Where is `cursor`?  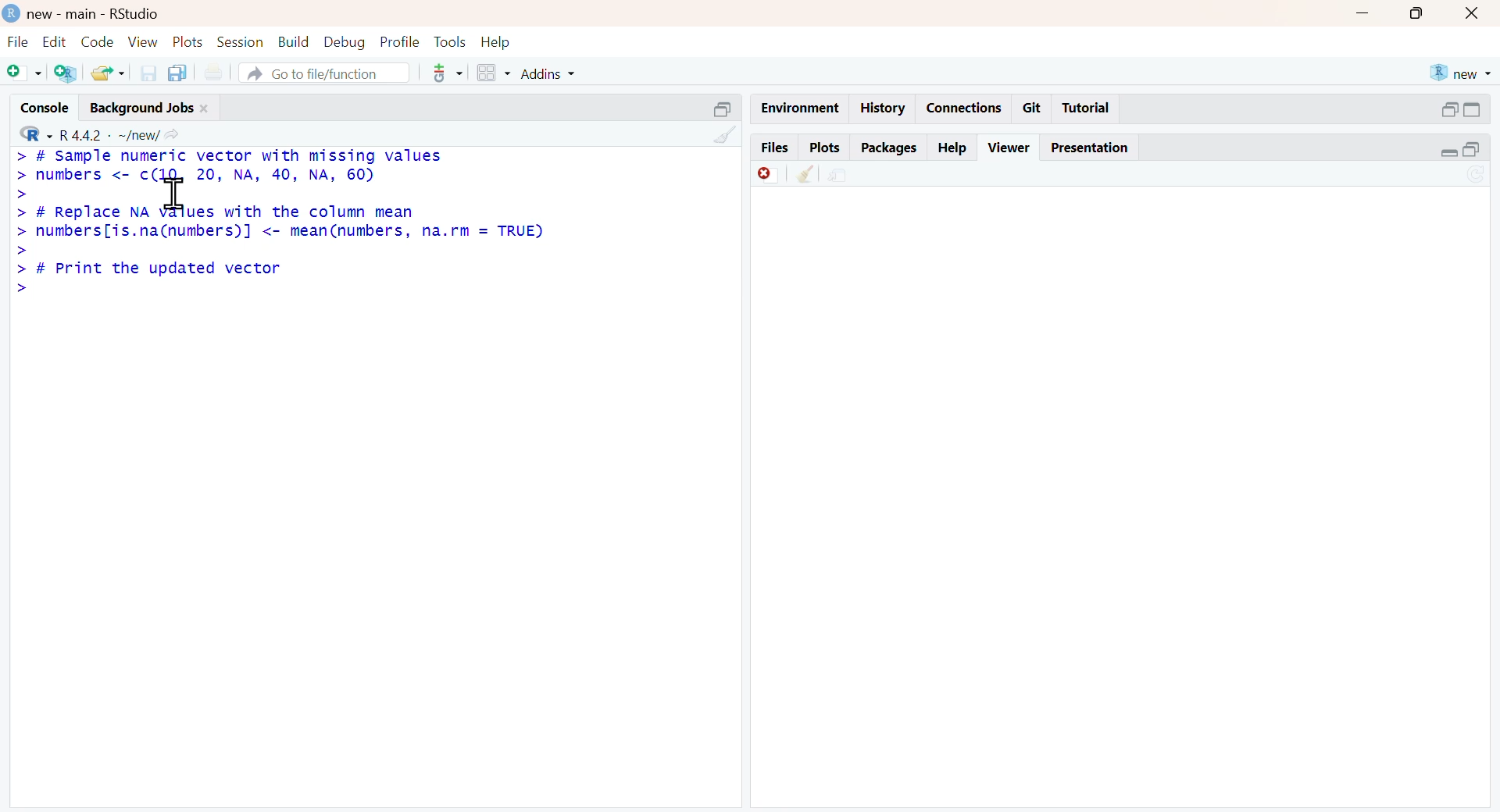
cursor is located at coordinates (175, 192).